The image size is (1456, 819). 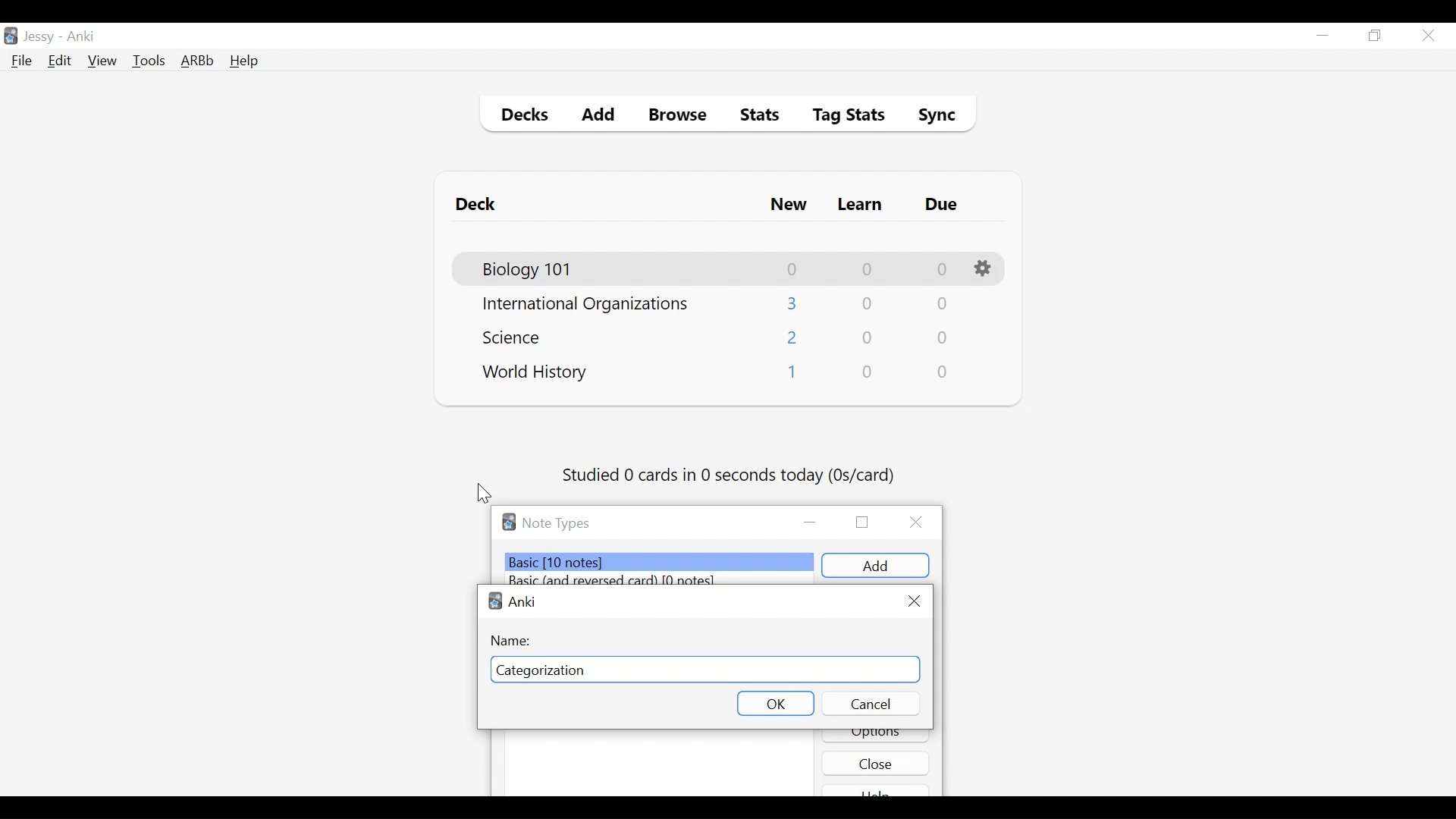 I want to click on OK, so click(x=775, y=702).